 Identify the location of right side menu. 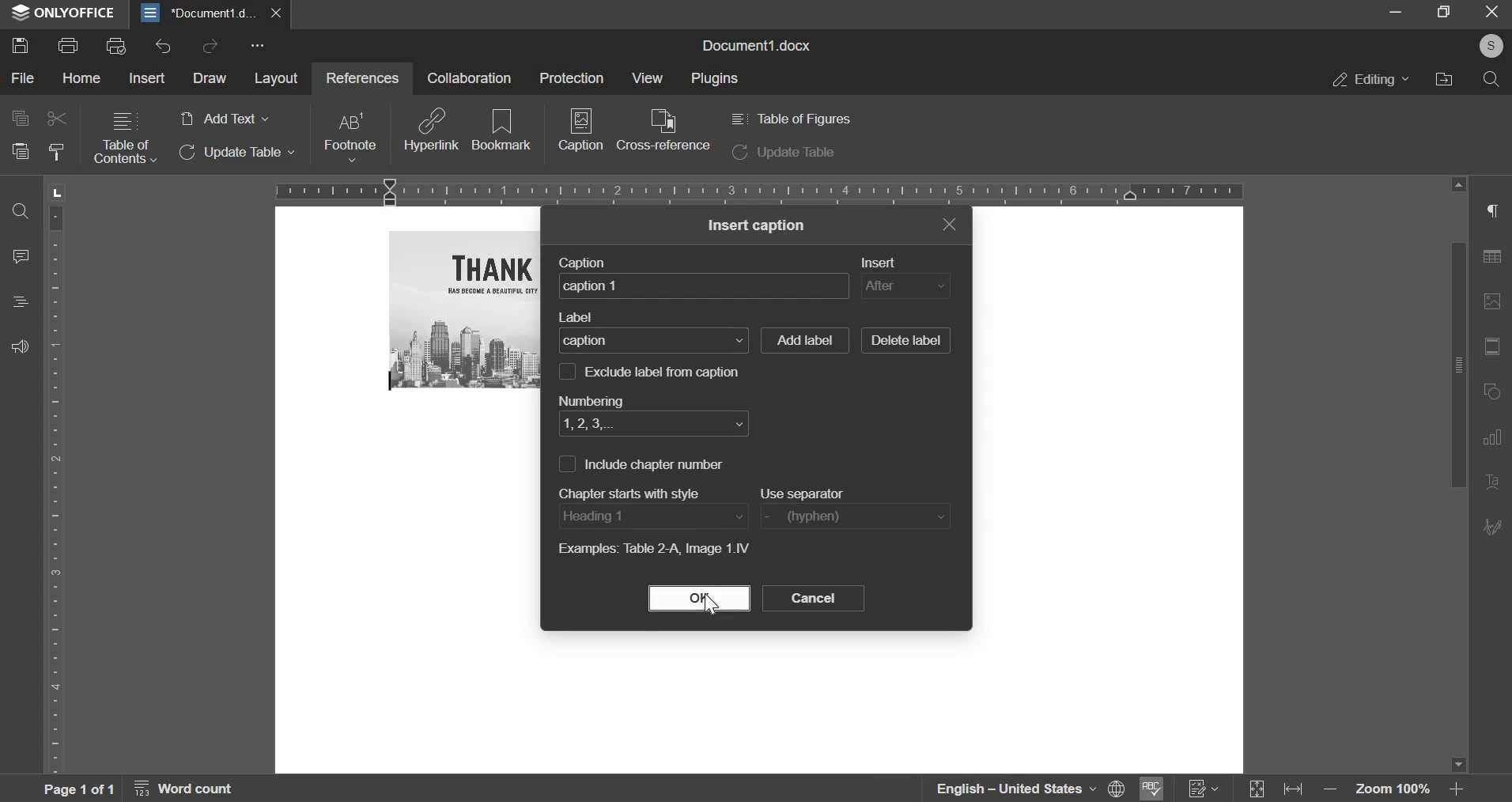
(1495, 213).